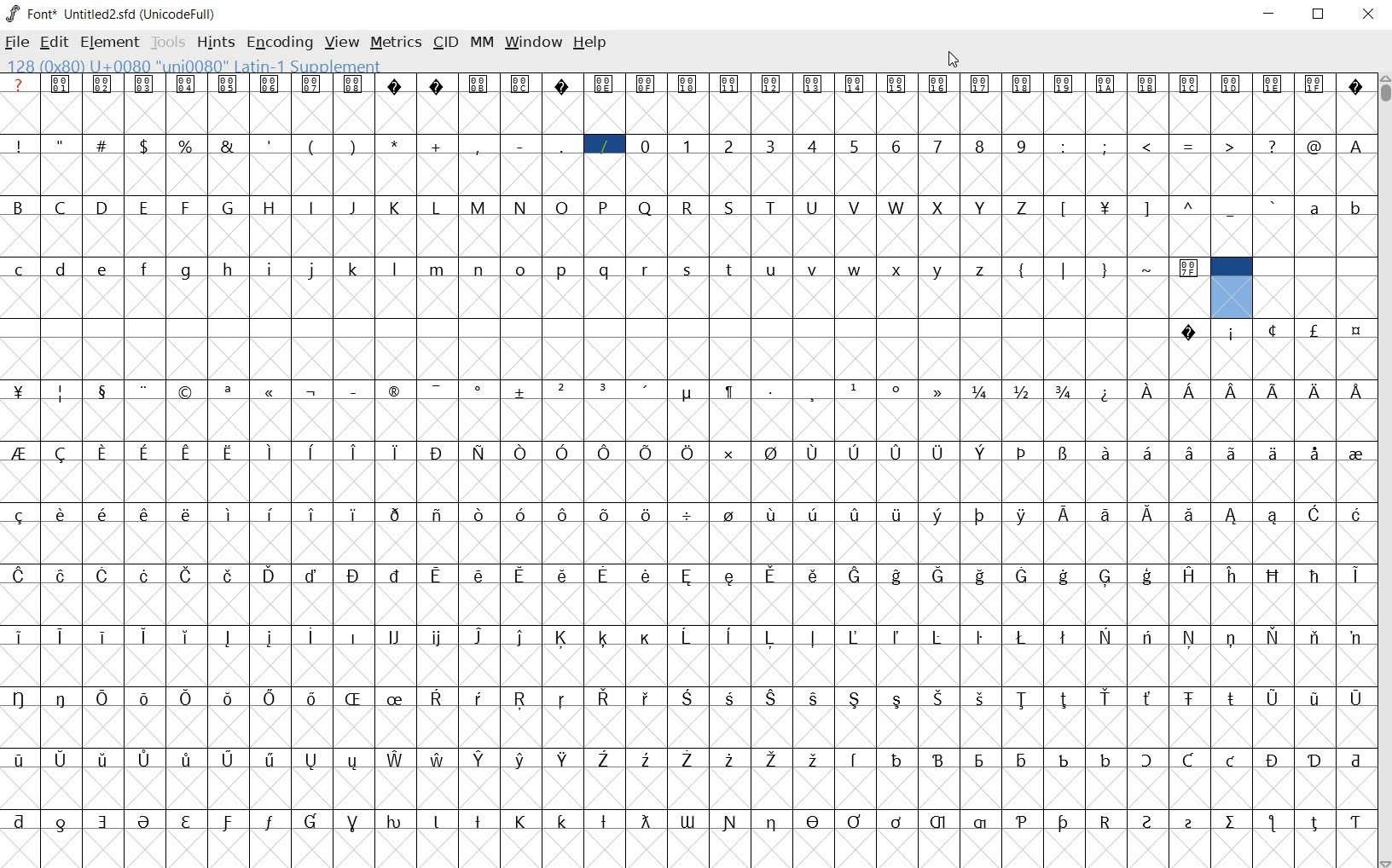  What do you see at coordinates (229, 575) in the screenshot?
I see `Symbol` at bounding box center [229, 575].